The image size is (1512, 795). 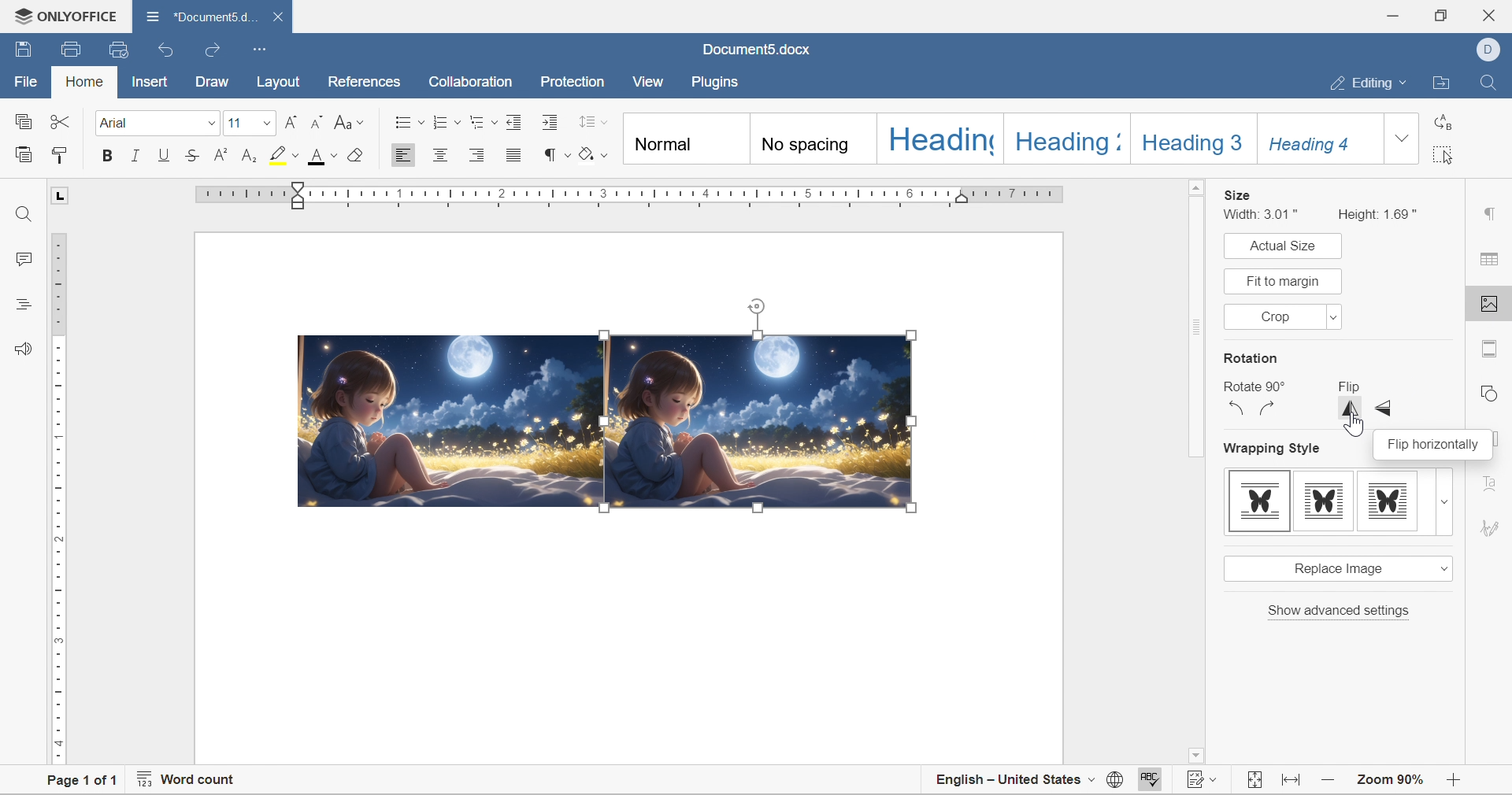 I want to click on flip, so click(x=1347, y=386).